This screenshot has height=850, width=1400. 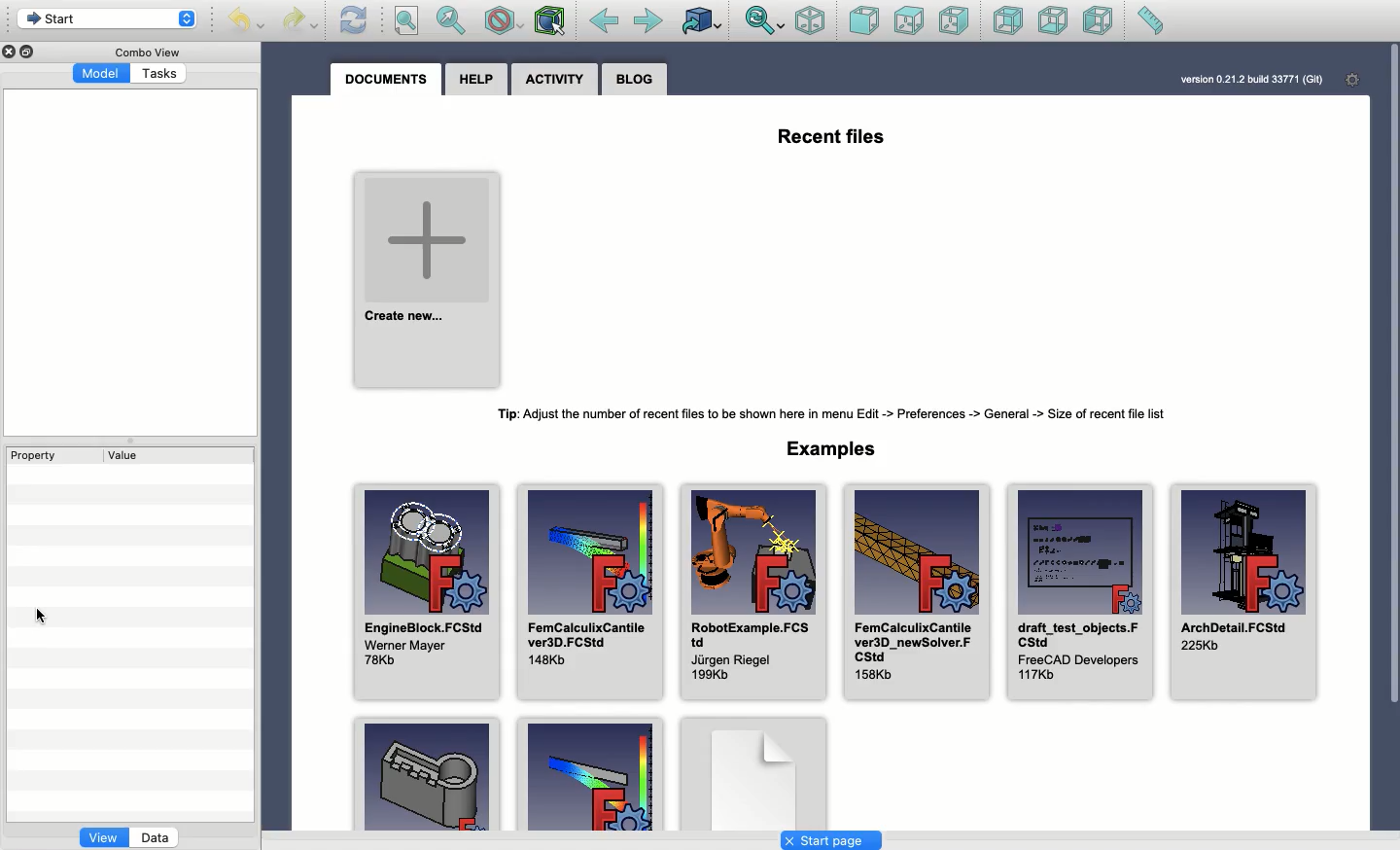 What do you see at coordinates (835, 413) in the screenshot?
I see `Tip: Adjust the number of recent files to be shown here in menu Edit -> Preferences -> General -> Size of recent file list` at bounding box center [835, 413].